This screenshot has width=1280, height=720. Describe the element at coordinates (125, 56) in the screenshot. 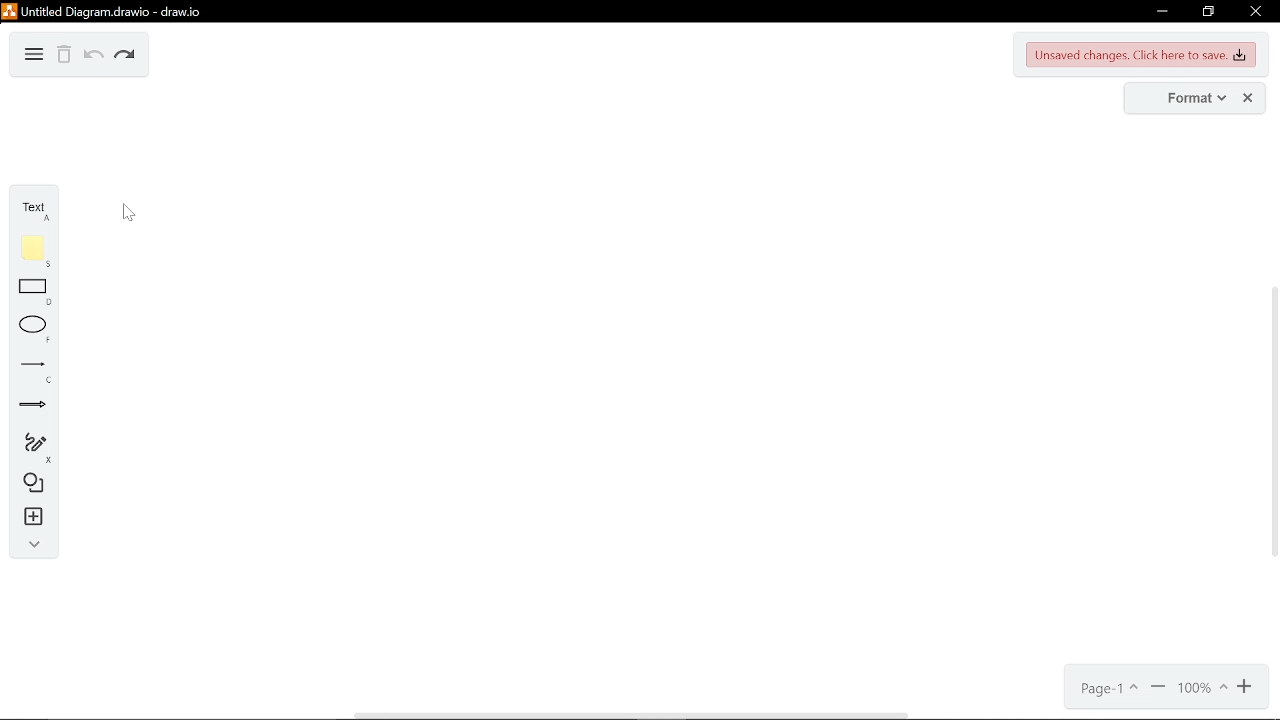

I see `redo` at that location.